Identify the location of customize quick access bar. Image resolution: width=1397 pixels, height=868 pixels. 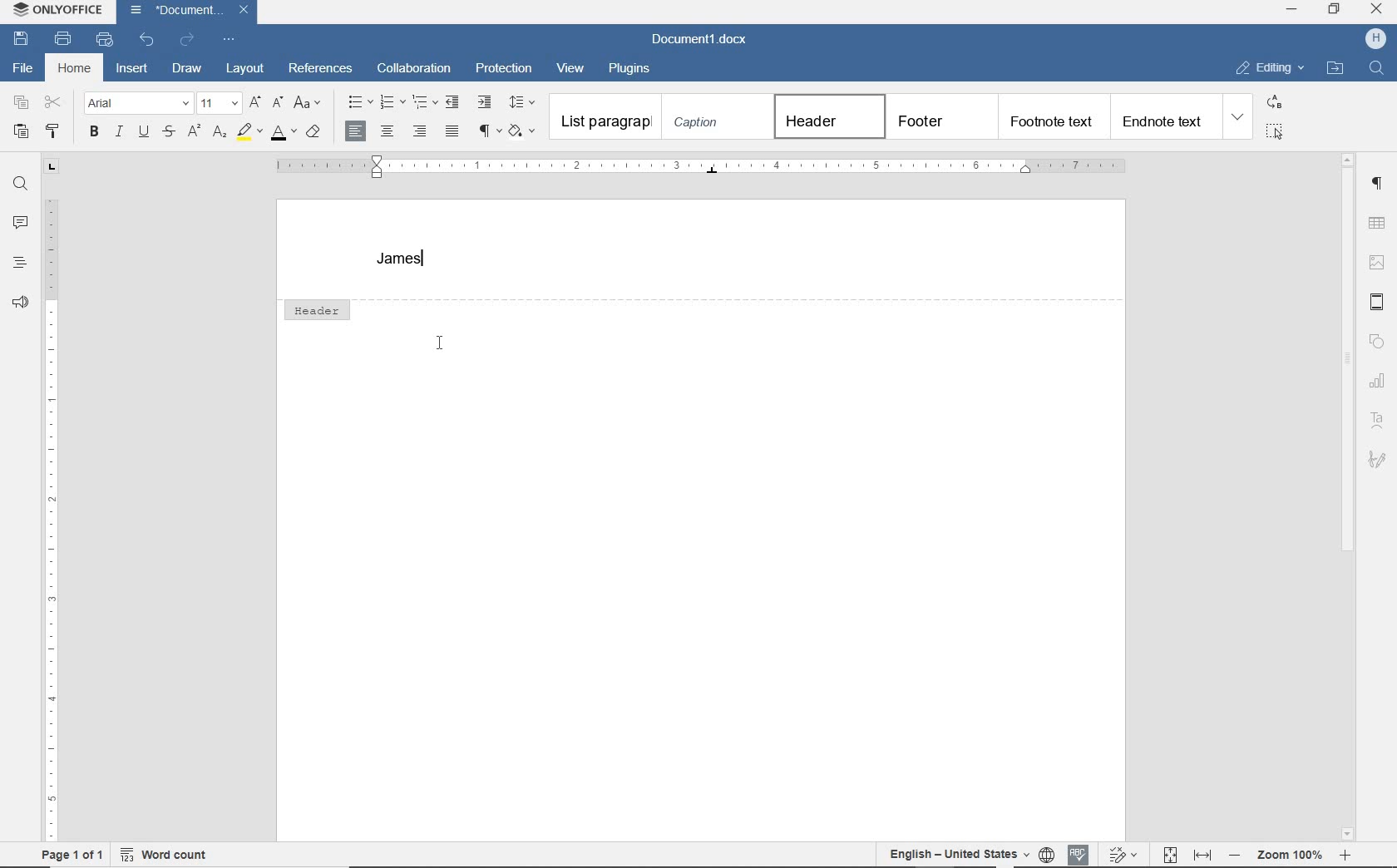
(230, 39).